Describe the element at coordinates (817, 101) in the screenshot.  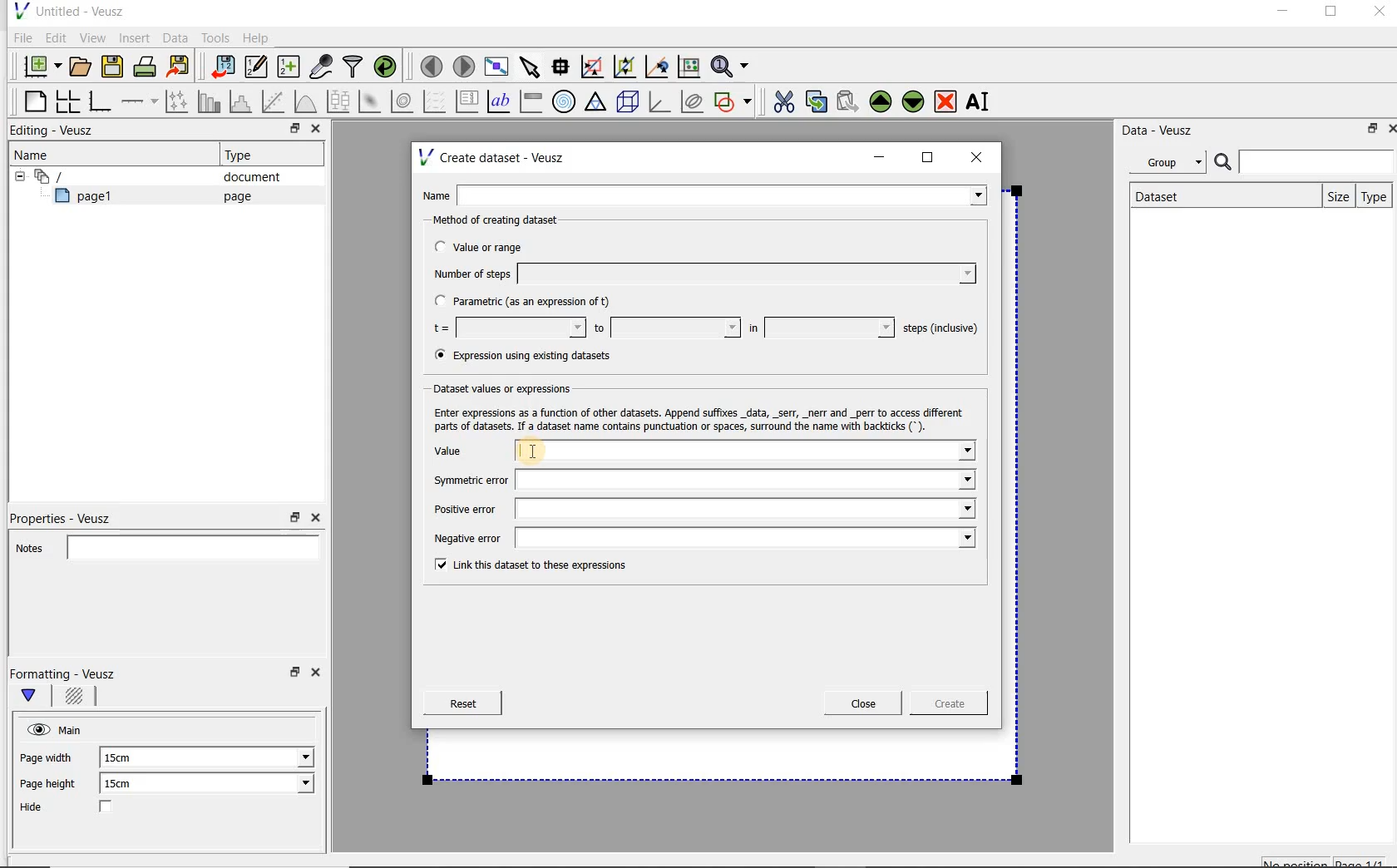
I see `copy the selected widget` at that location.